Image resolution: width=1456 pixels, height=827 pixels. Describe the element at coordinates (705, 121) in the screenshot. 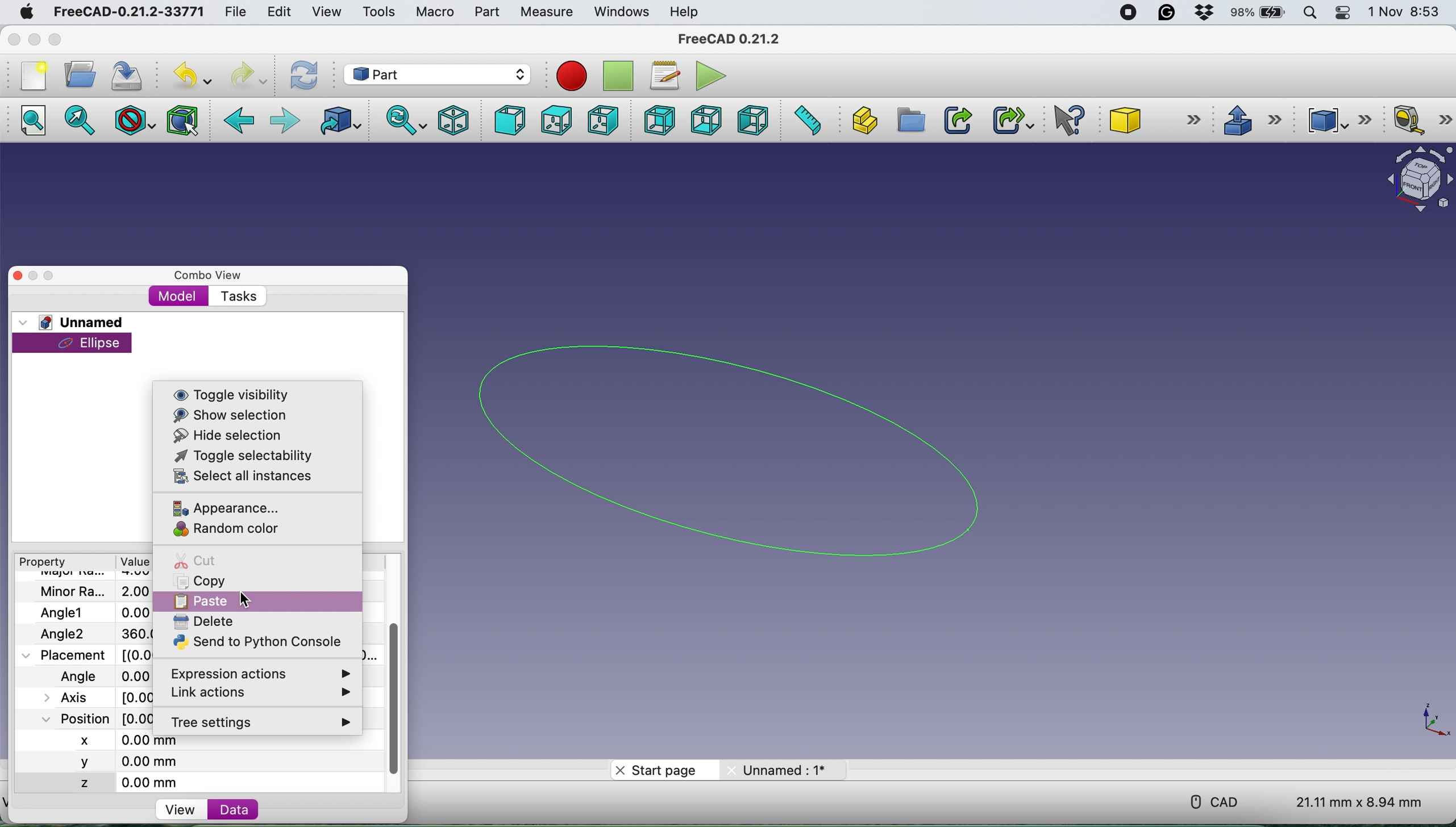

I see `bottom` at that location.